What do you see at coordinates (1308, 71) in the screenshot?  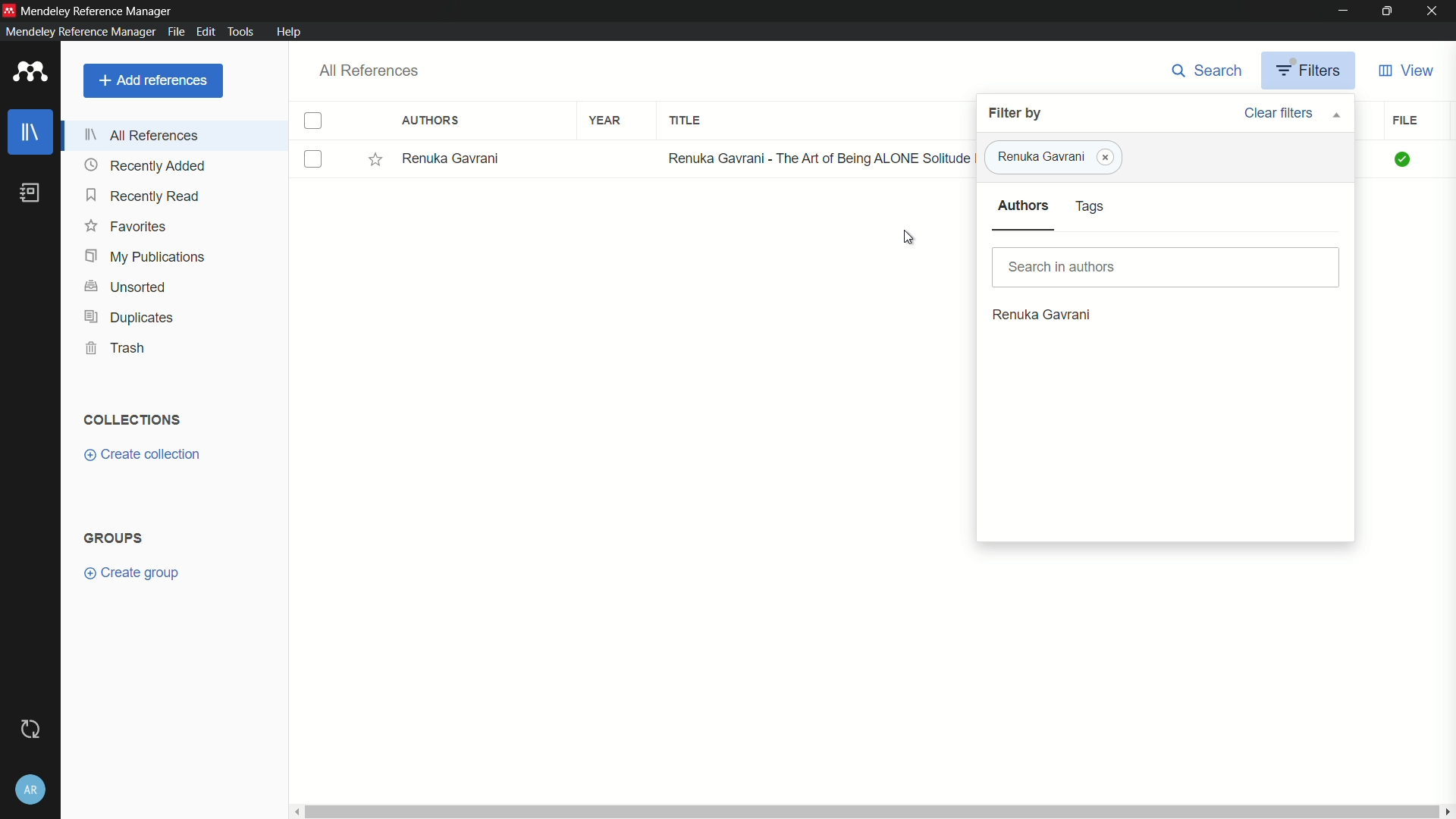 I see `filters` at bounding box center [1308, 71].